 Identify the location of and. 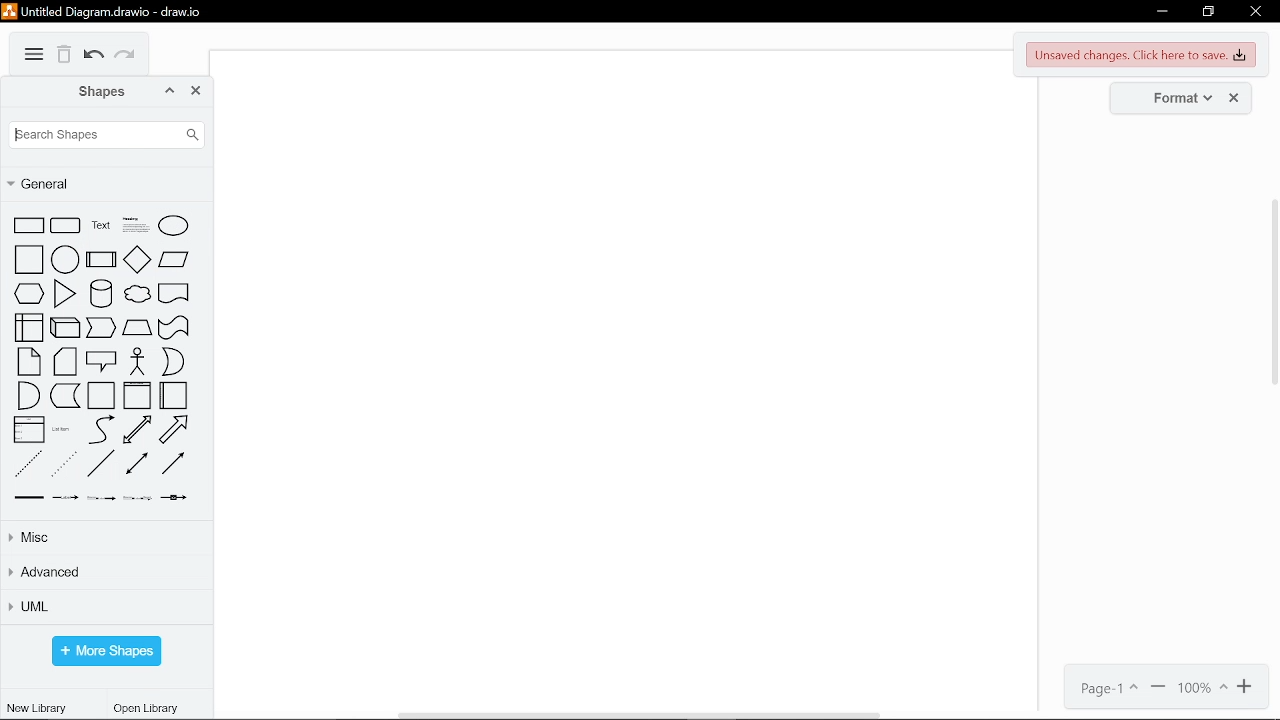
(28, 396).